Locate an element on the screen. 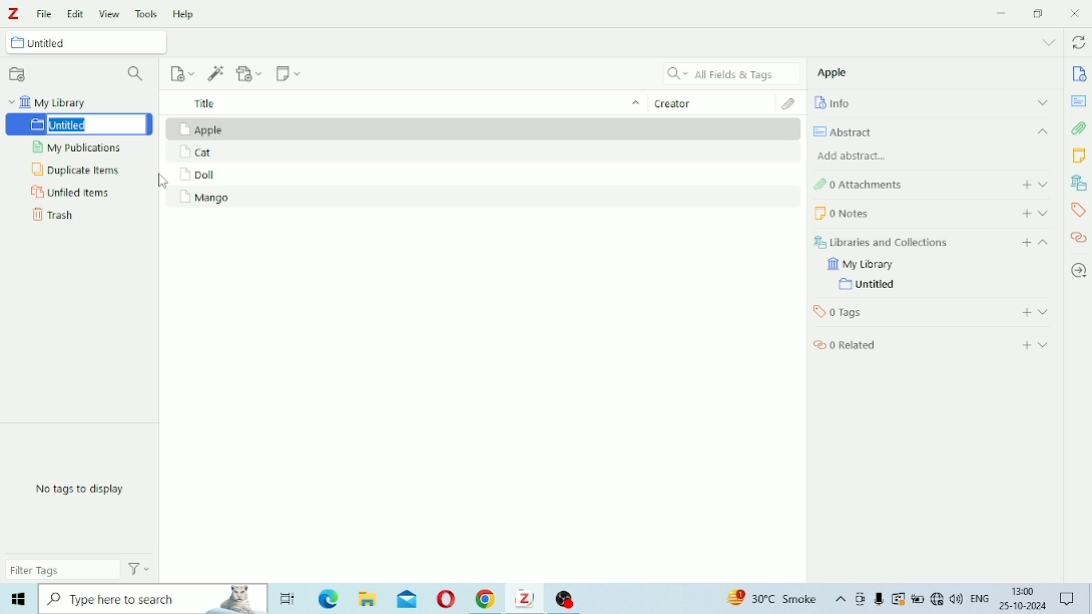   is located at coordinates (850, 598).